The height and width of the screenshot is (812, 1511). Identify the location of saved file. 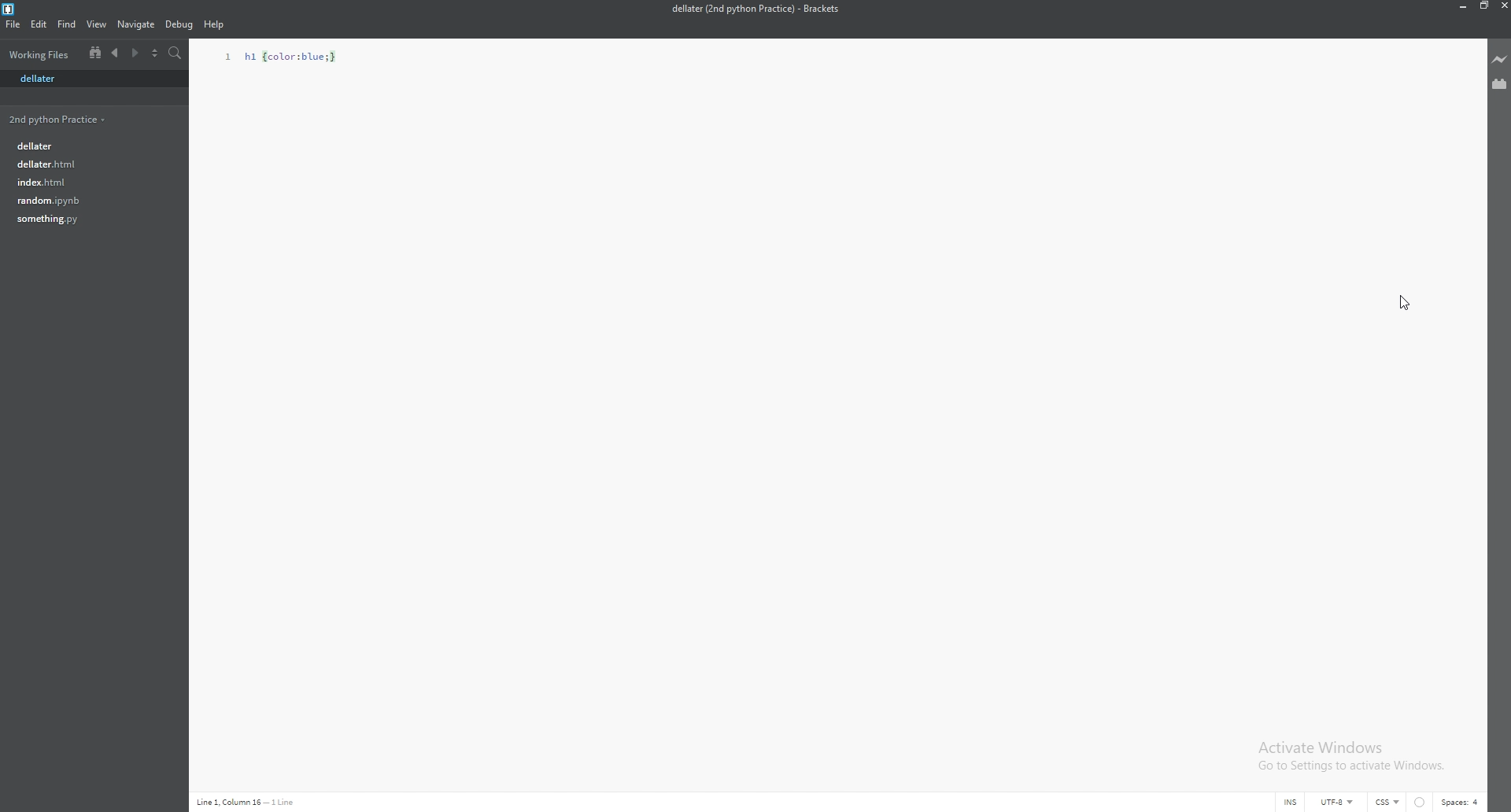
(93, 79).